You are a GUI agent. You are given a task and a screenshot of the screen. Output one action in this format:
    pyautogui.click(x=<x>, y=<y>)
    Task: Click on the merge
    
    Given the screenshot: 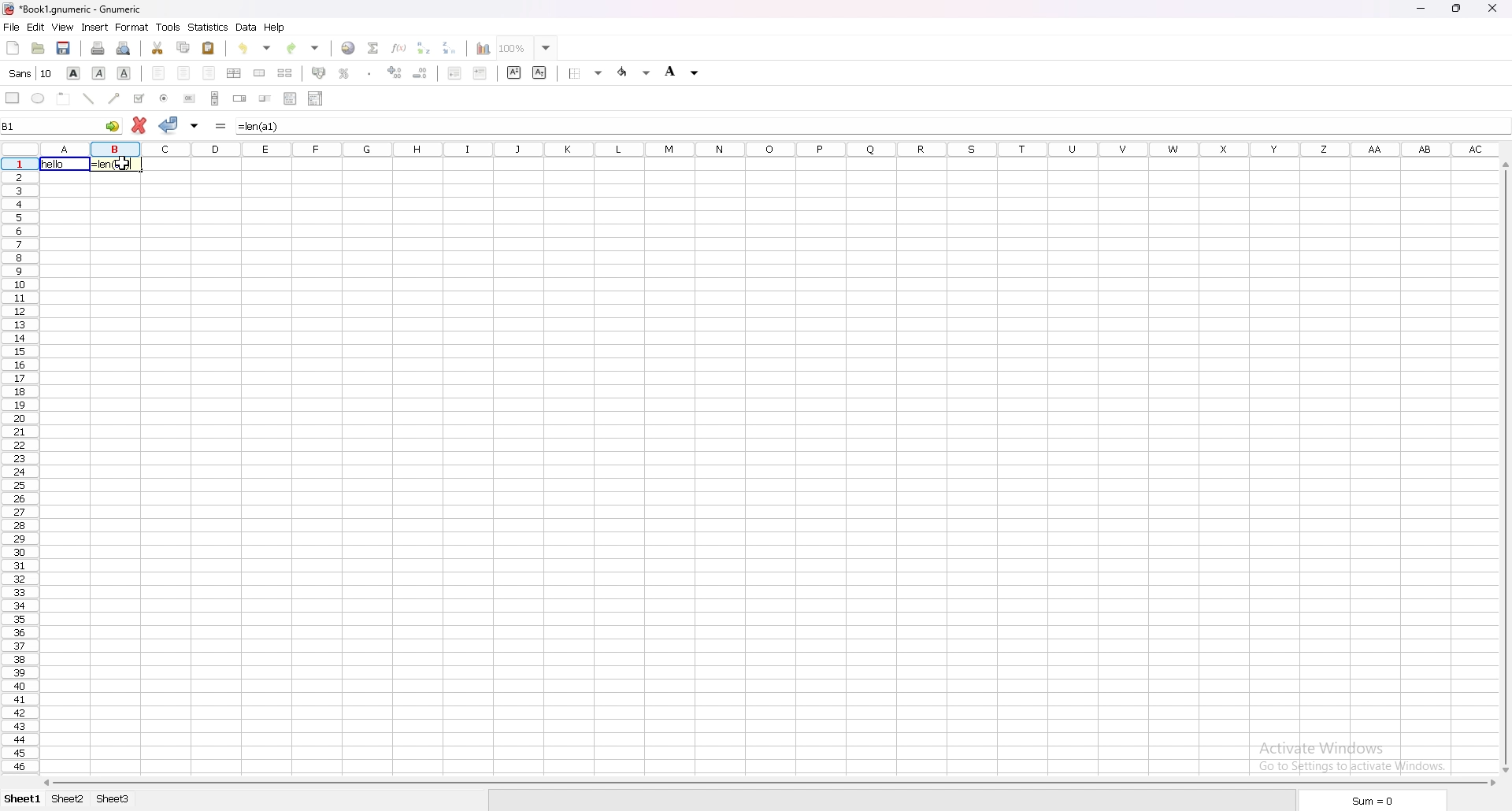 What is the action you would take?
    pyautogui.click(x=259, y=73)
    